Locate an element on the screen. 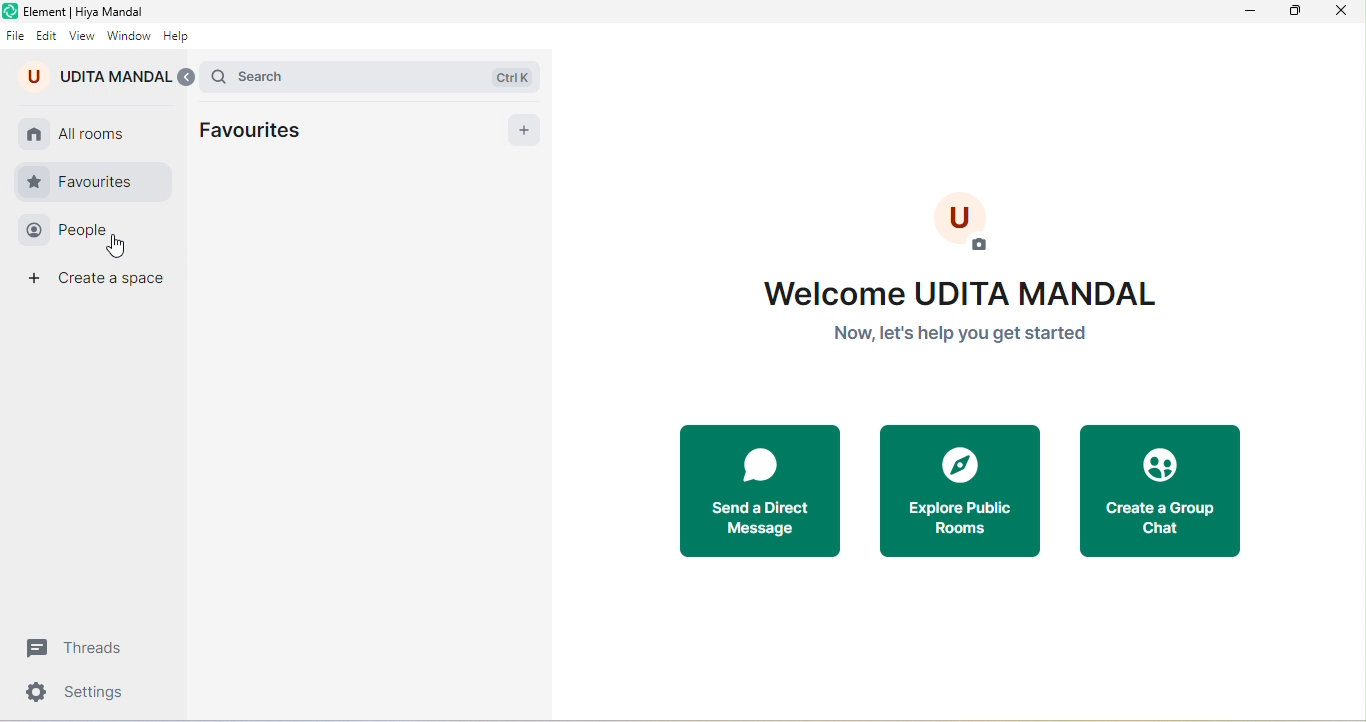  view is located at coordinates (81, 34).